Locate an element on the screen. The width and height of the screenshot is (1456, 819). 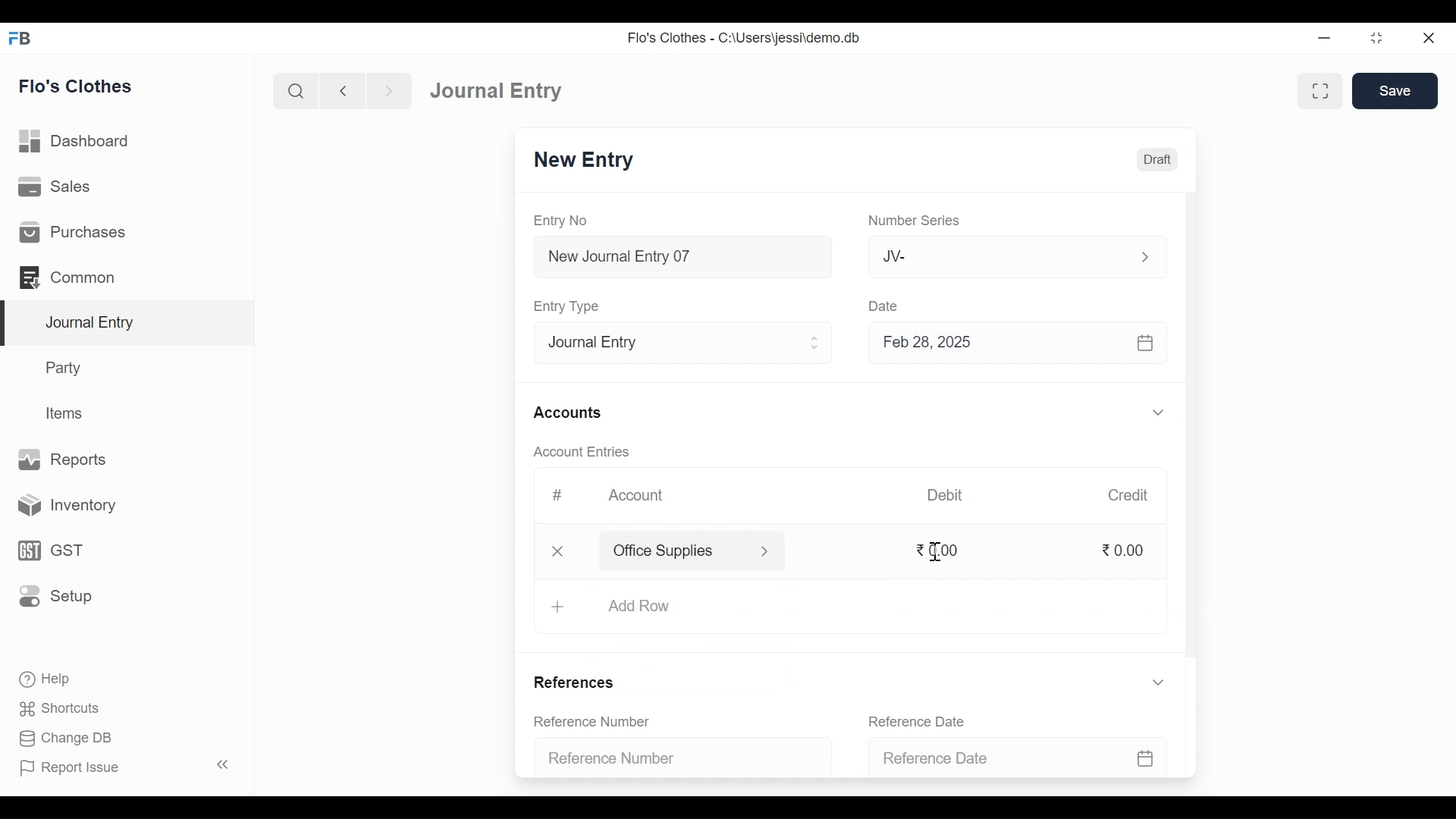
Entry Type is located at coordinates (570, 306).